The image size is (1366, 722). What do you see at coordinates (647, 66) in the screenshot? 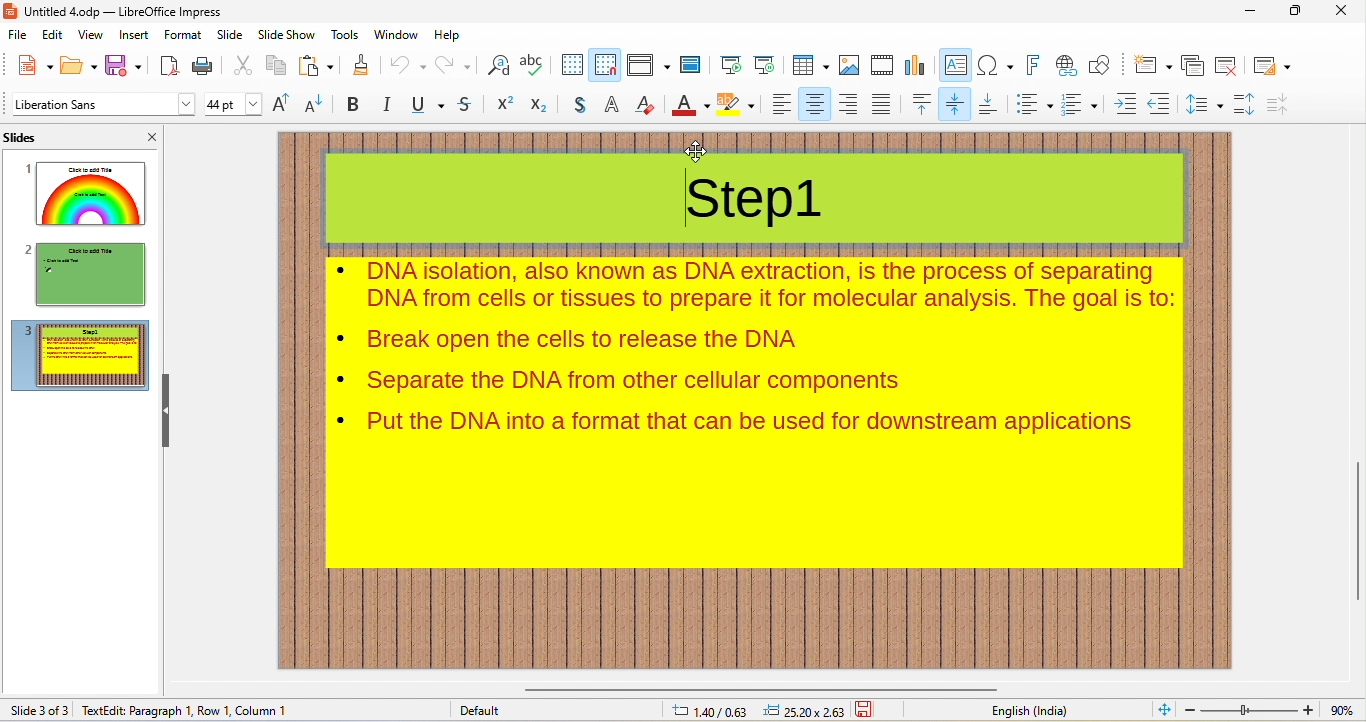
I see `display views` at bounding box center [647, 66].